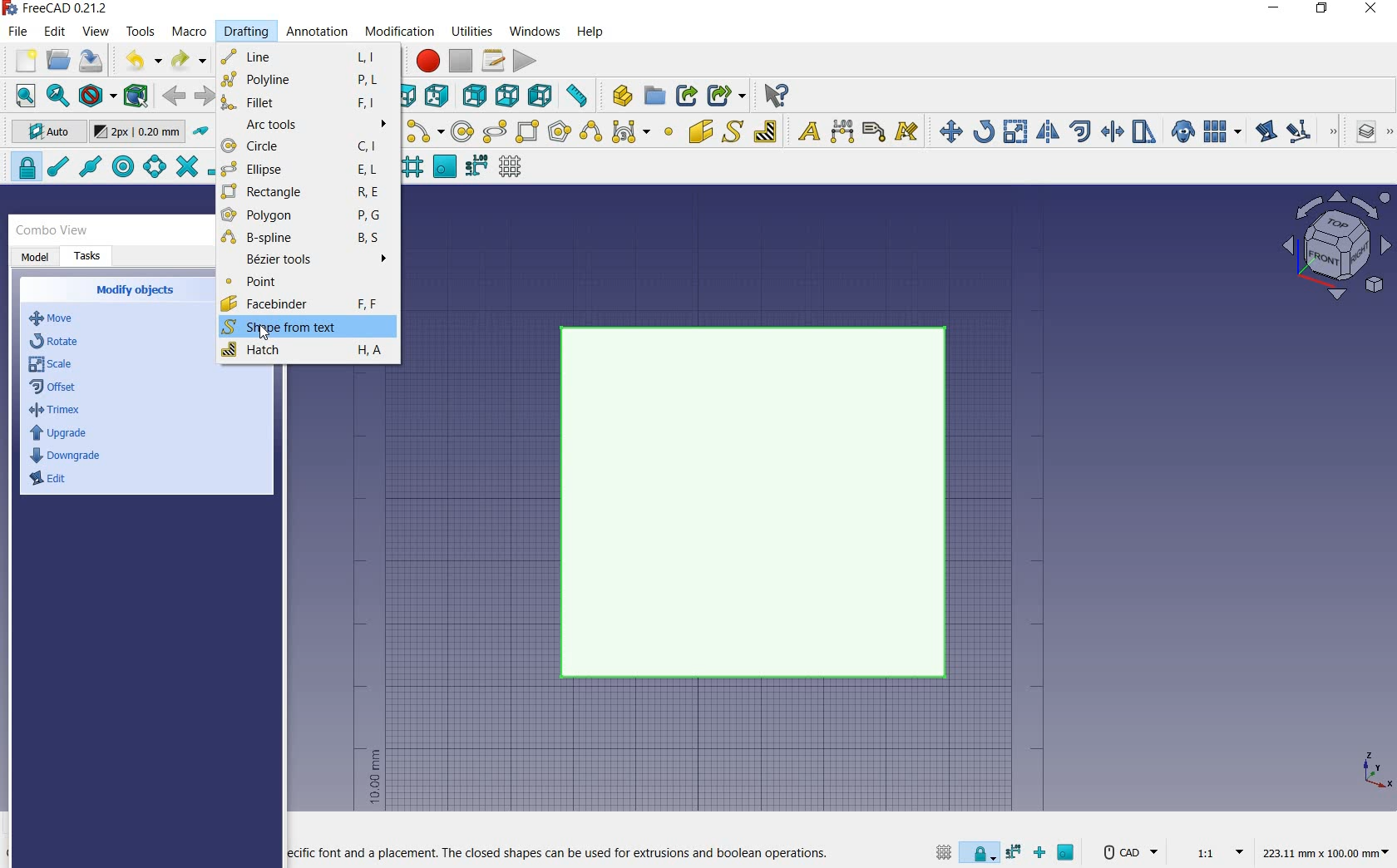 This screenshot has height=868, width=1397. Describe the element at coordinates (140, 134) in the screenshot. I see `change default style for new objects` at that location.